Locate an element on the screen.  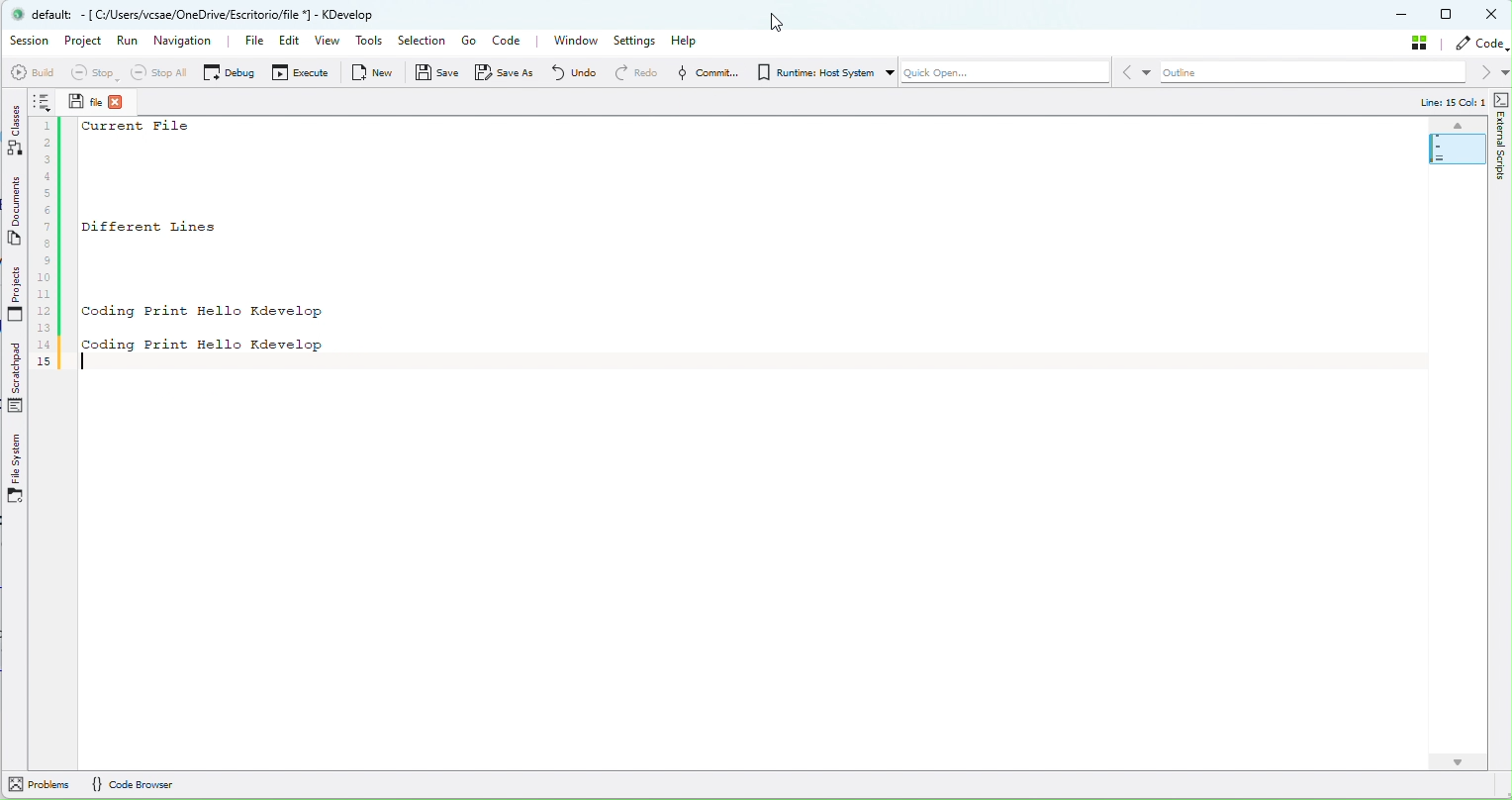
outline is located at coordinates (1324, 73).